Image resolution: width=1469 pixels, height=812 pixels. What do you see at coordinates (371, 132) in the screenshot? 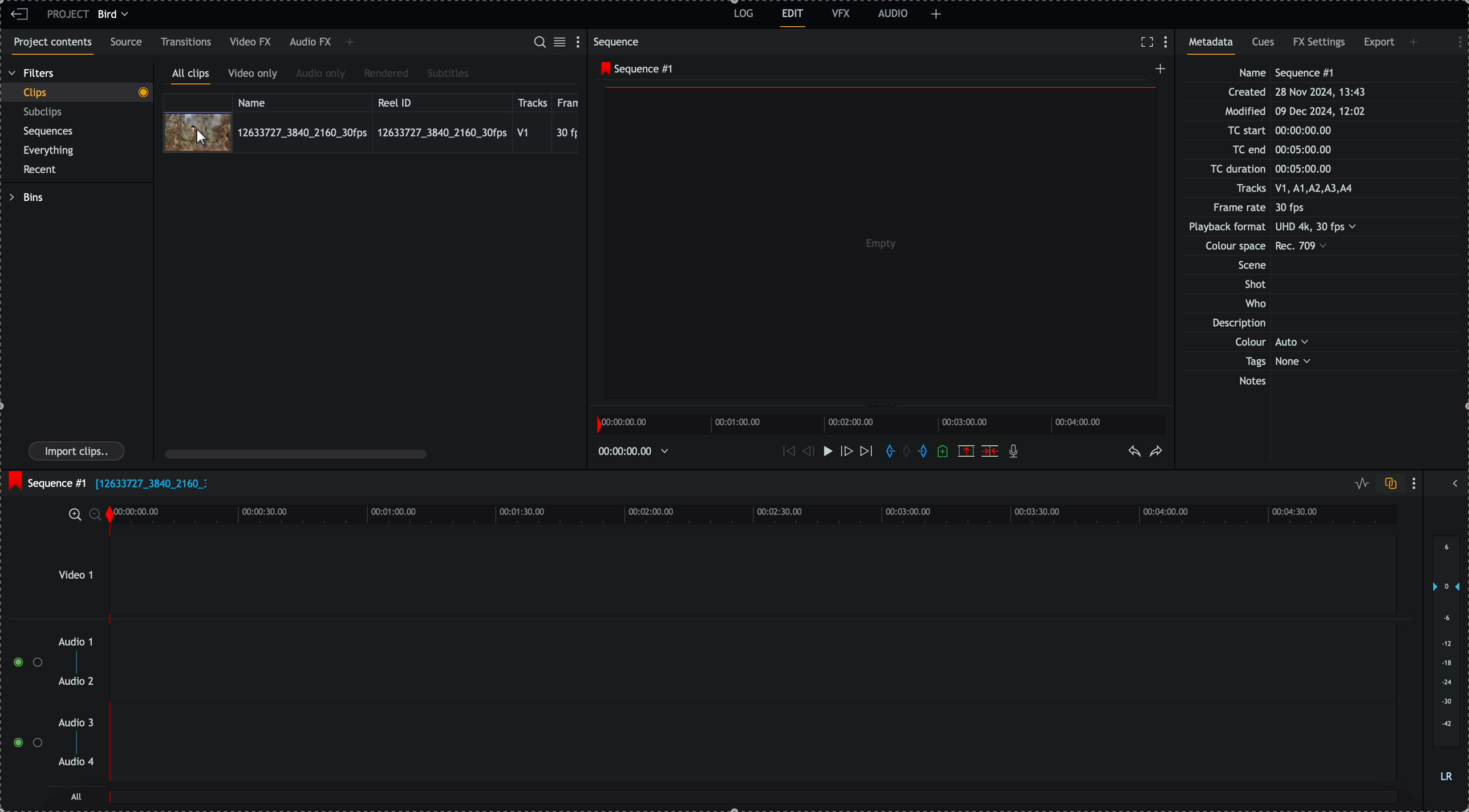
I see `click on video` at bounding box center [371, 132].